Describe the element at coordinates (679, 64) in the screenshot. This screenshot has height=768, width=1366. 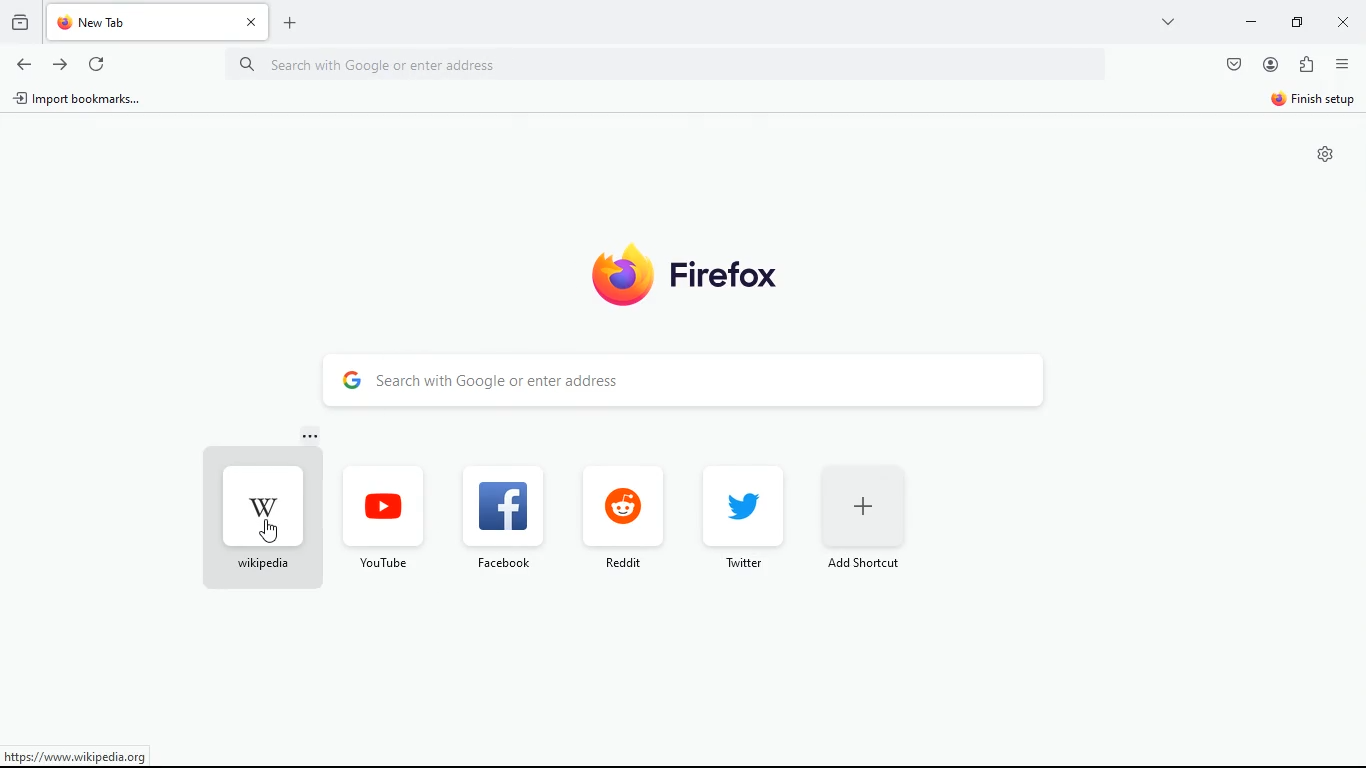
I see `search with google or enter address` at that location.